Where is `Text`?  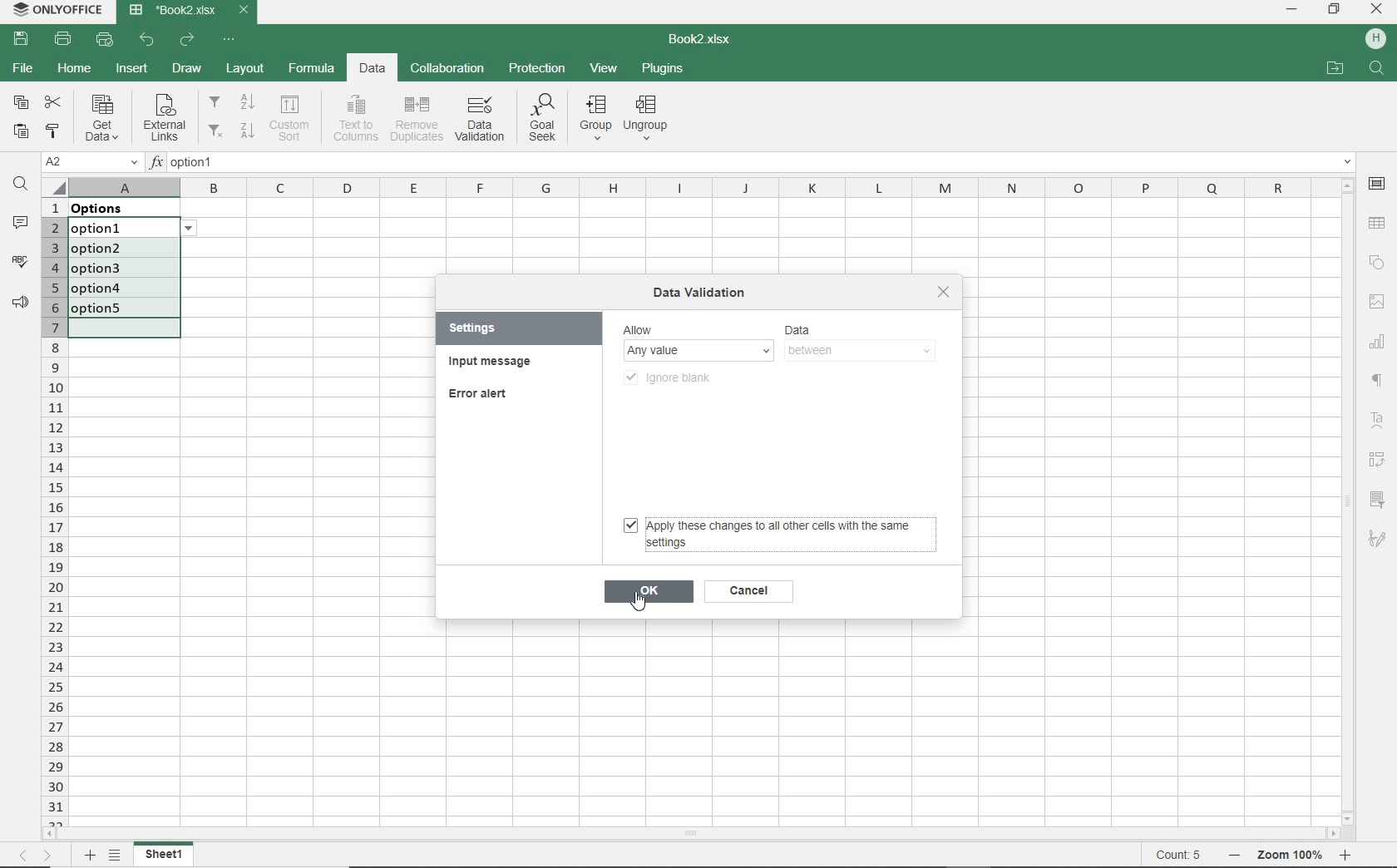 Text is located at coordinates (1377, 421).